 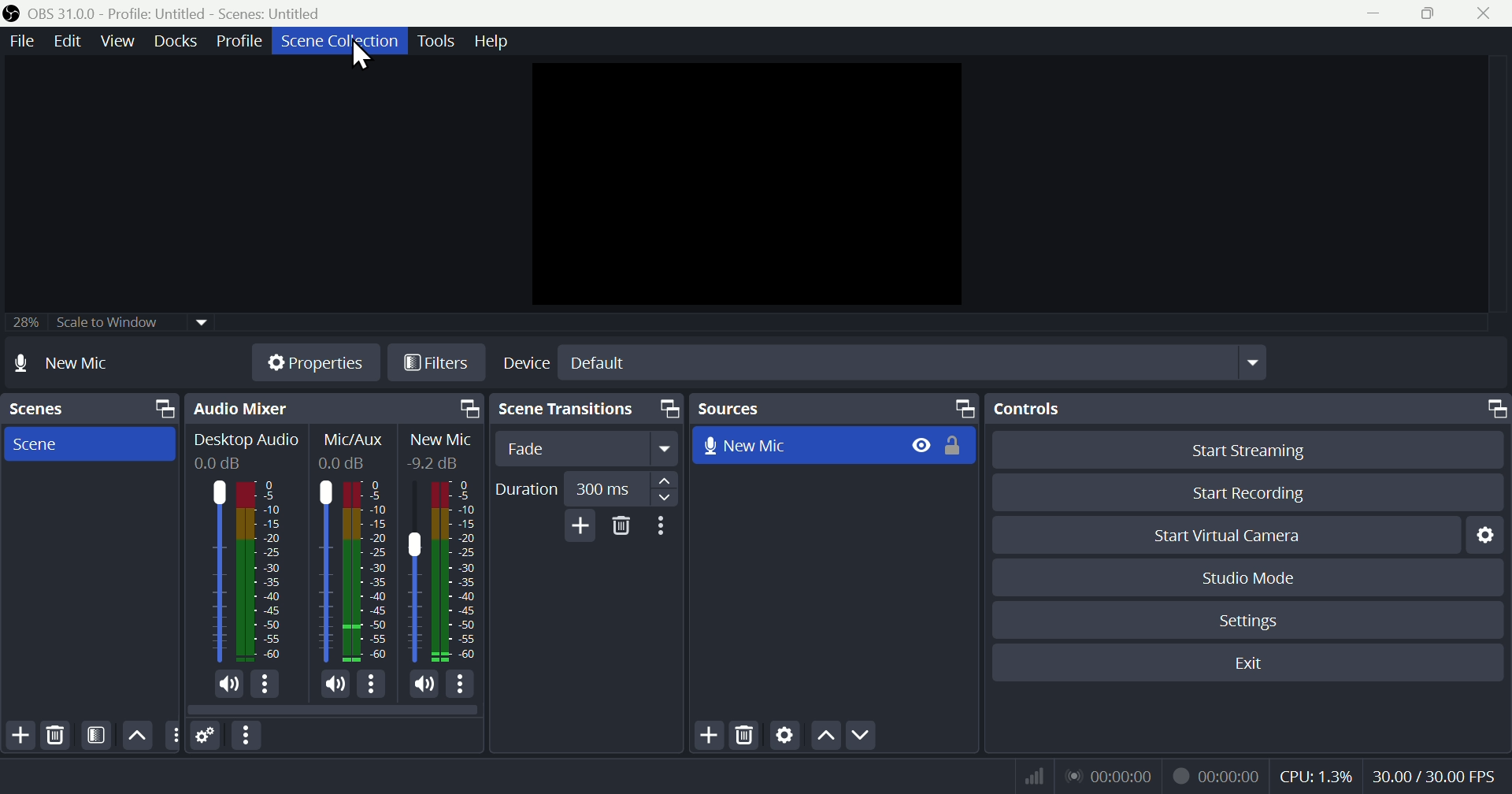 What do you see at coordinates (917, 364) in the screenshot?
I see `Device` at bounding box center [917, 364].